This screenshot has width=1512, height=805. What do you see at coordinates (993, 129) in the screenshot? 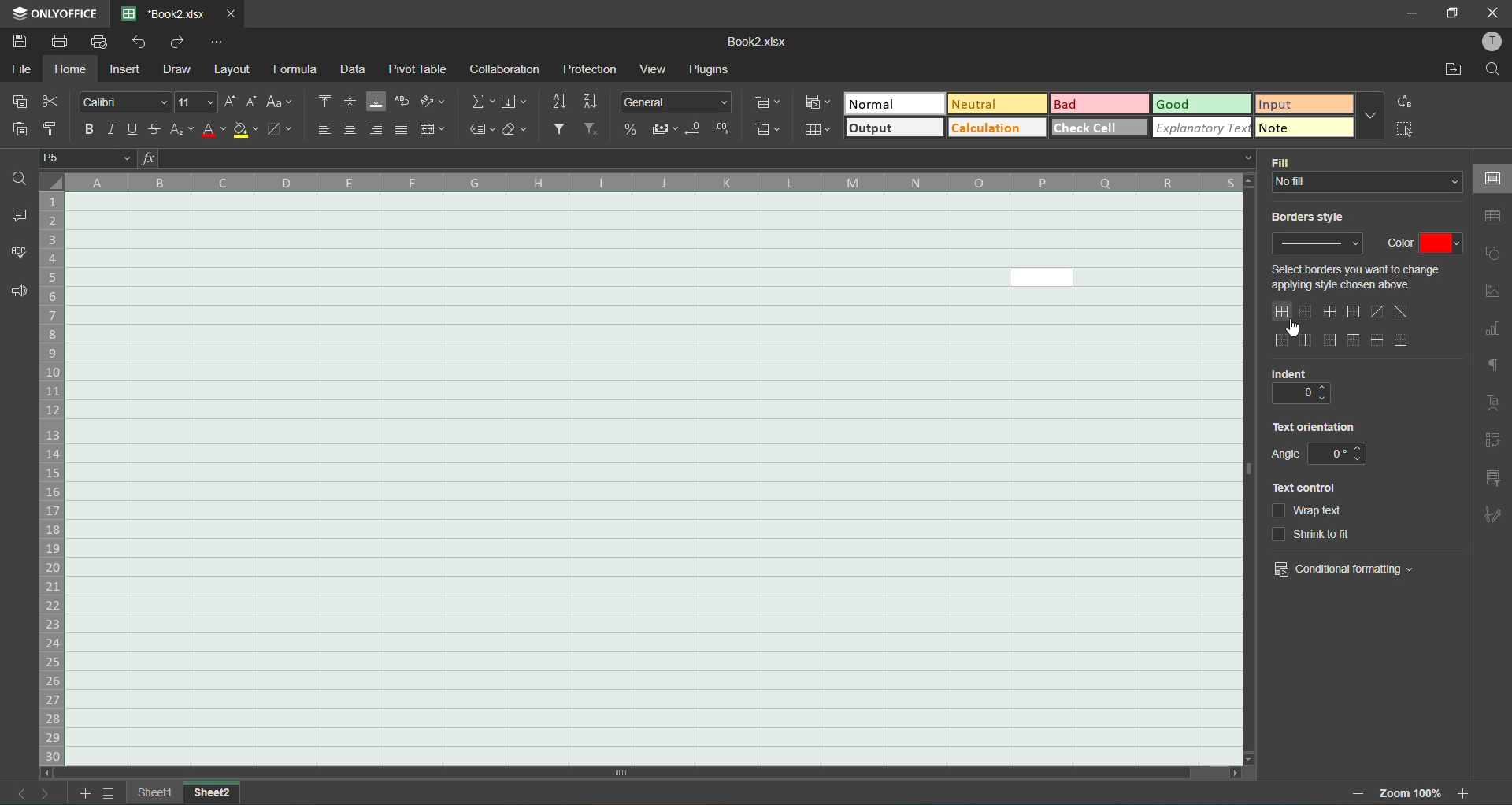
I see `calculation` at bounding box center [993, 129].